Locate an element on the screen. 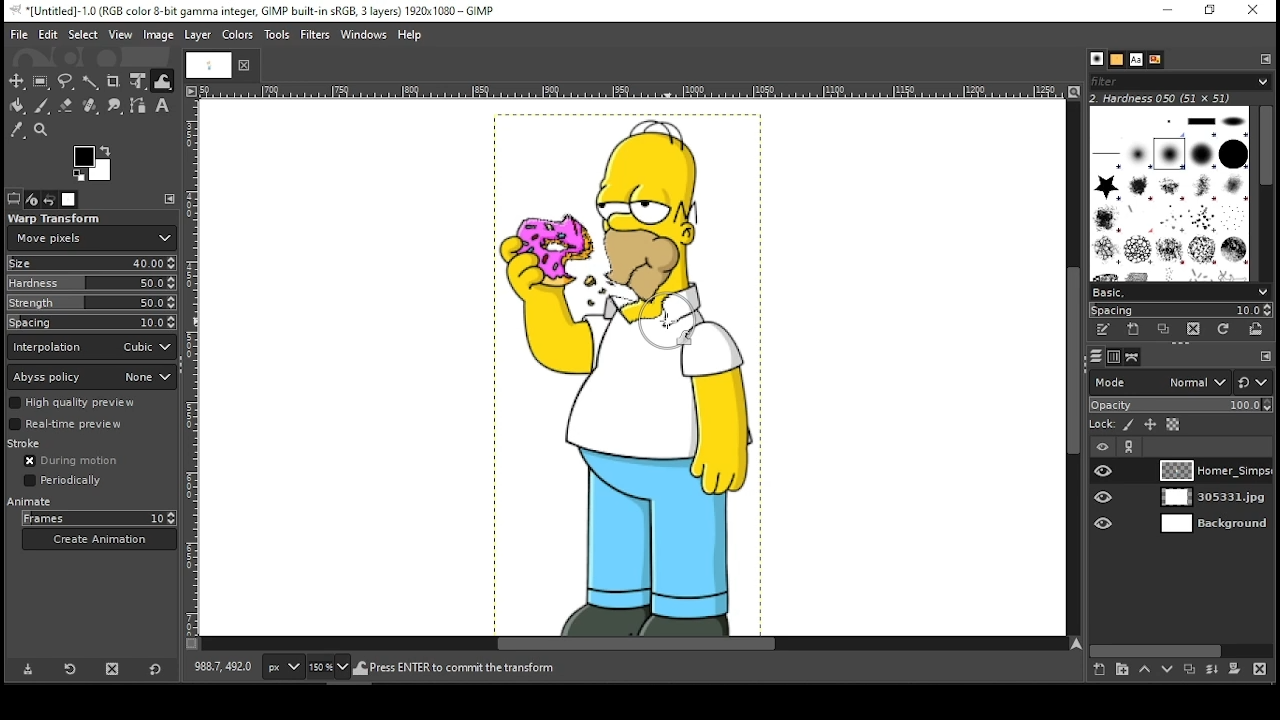 The height and width of the screenshot is (720, 1280). periodically is located at coordinates (64, 480).